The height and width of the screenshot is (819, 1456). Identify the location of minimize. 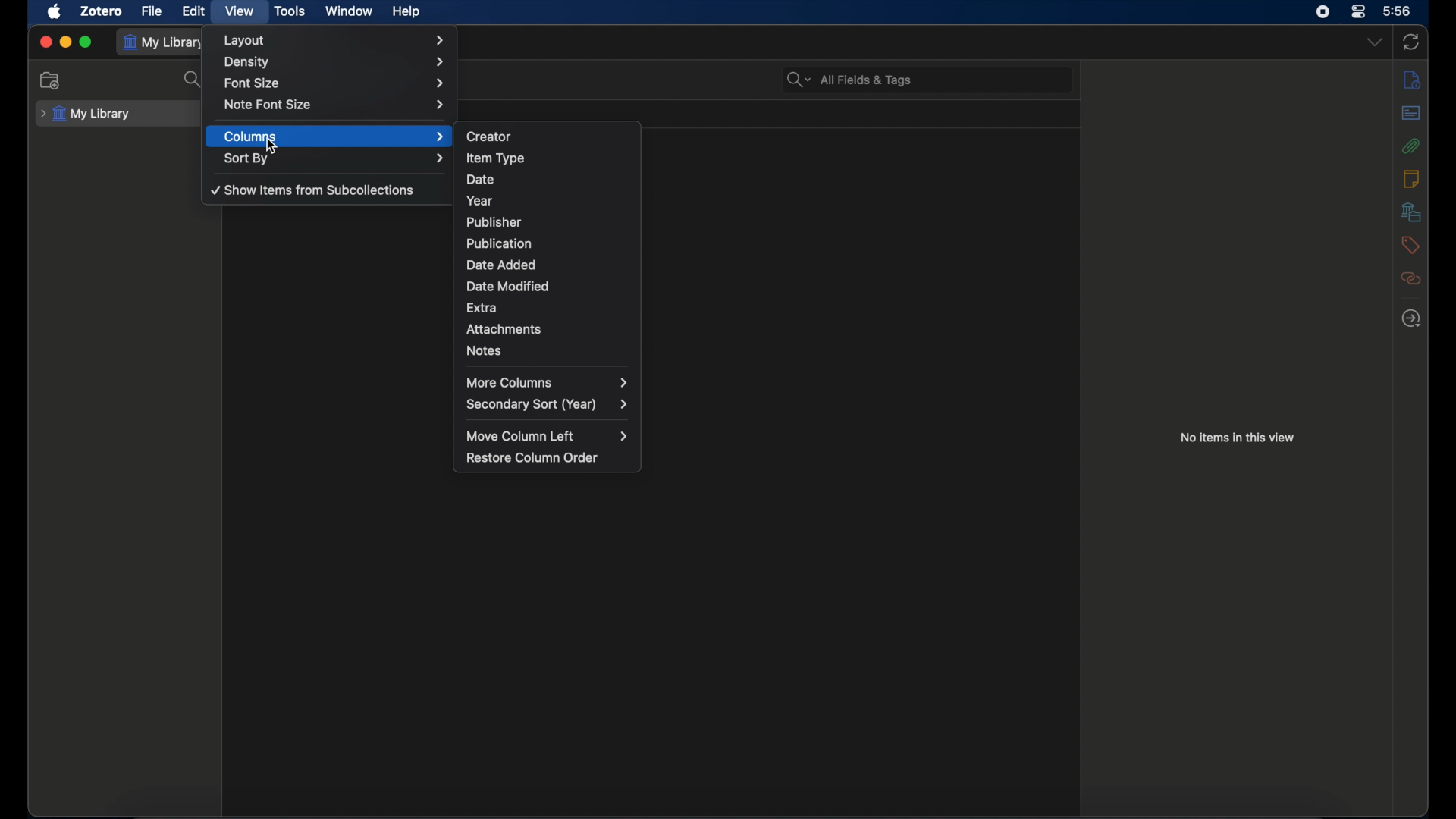
(65, 42).